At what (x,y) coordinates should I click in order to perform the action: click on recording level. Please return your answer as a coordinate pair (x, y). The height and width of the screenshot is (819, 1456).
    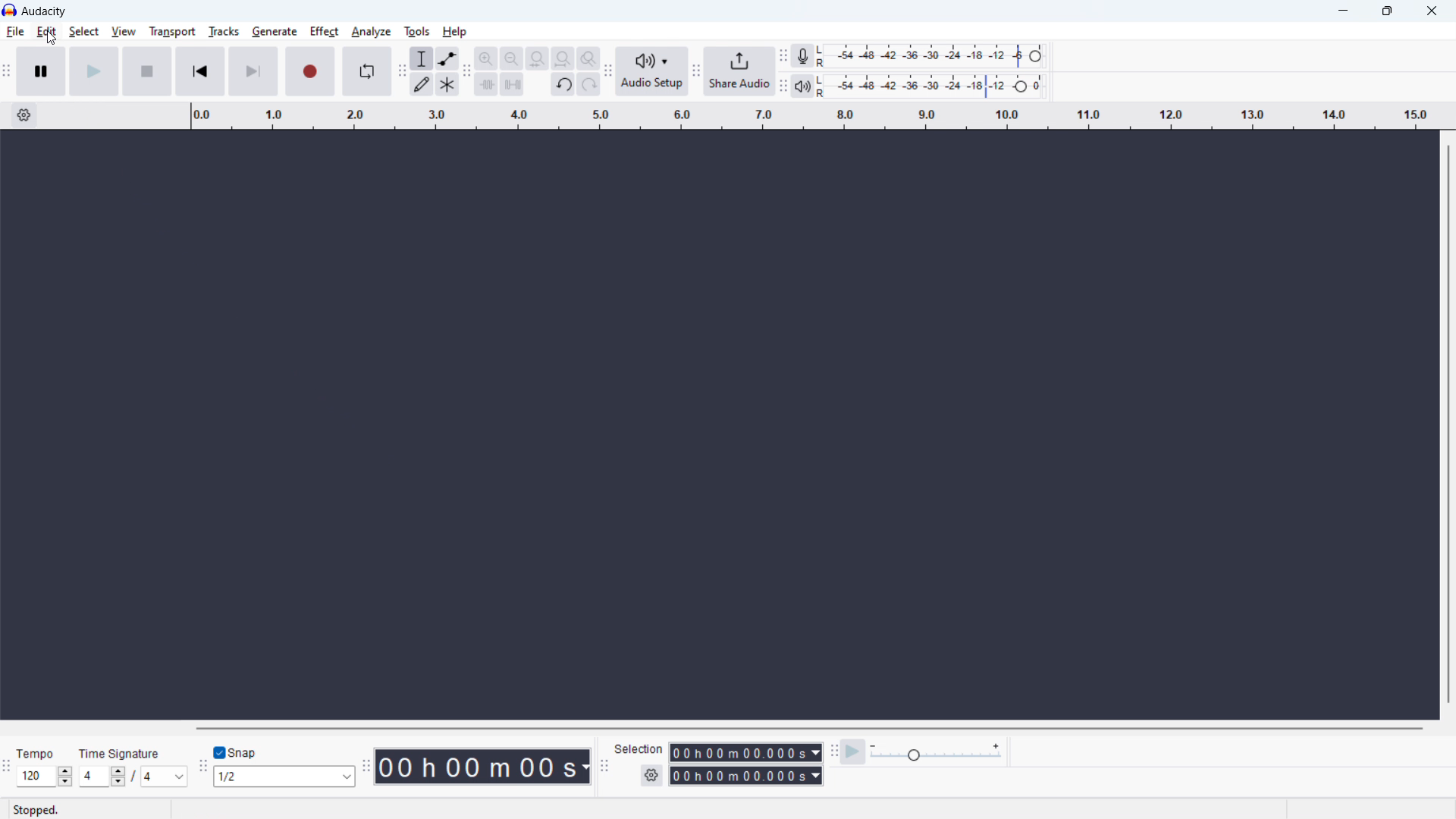
    Looking at the image, I should click on (935, 55).